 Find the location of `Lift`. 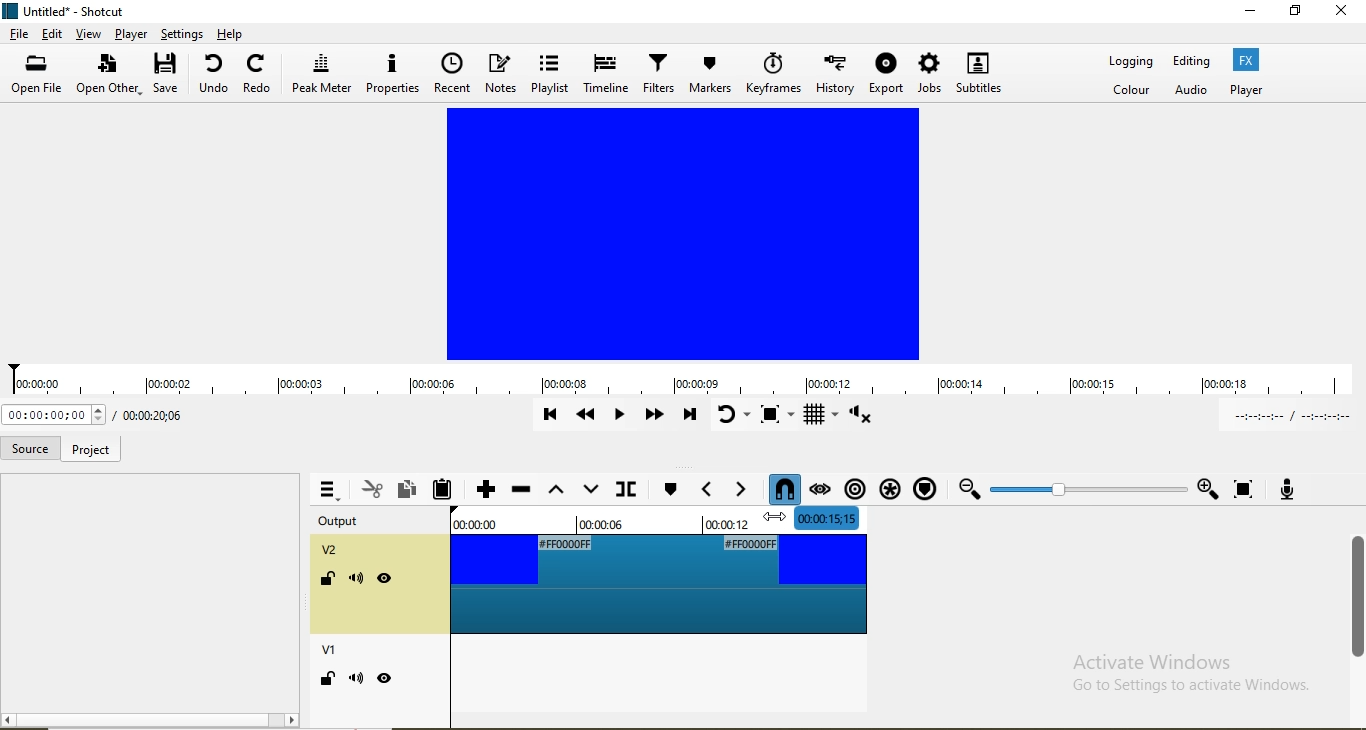

Lift is located at coordinates (554, 491).